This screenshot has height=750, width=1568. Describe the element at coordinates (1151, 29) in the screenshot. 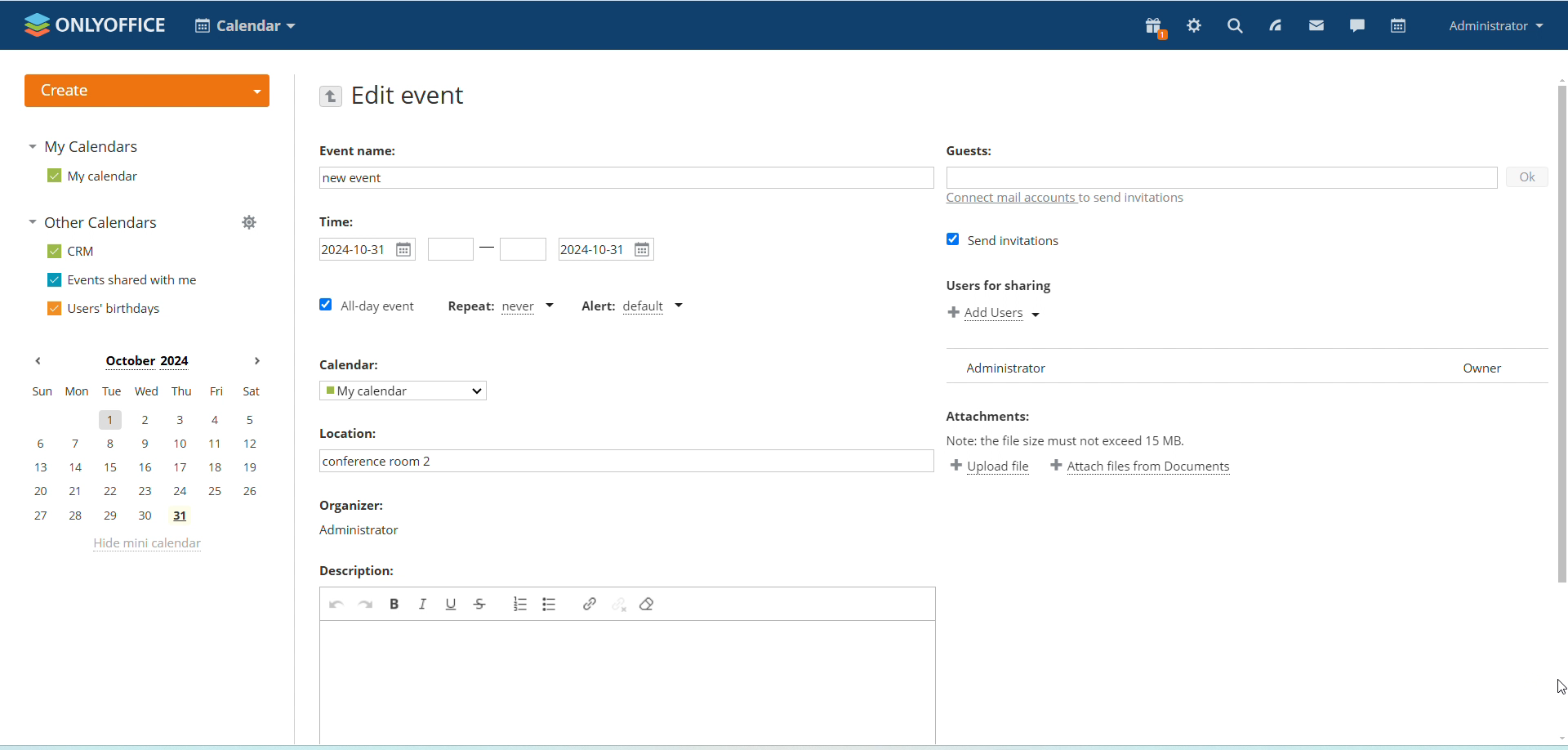

I see `present` at that location.